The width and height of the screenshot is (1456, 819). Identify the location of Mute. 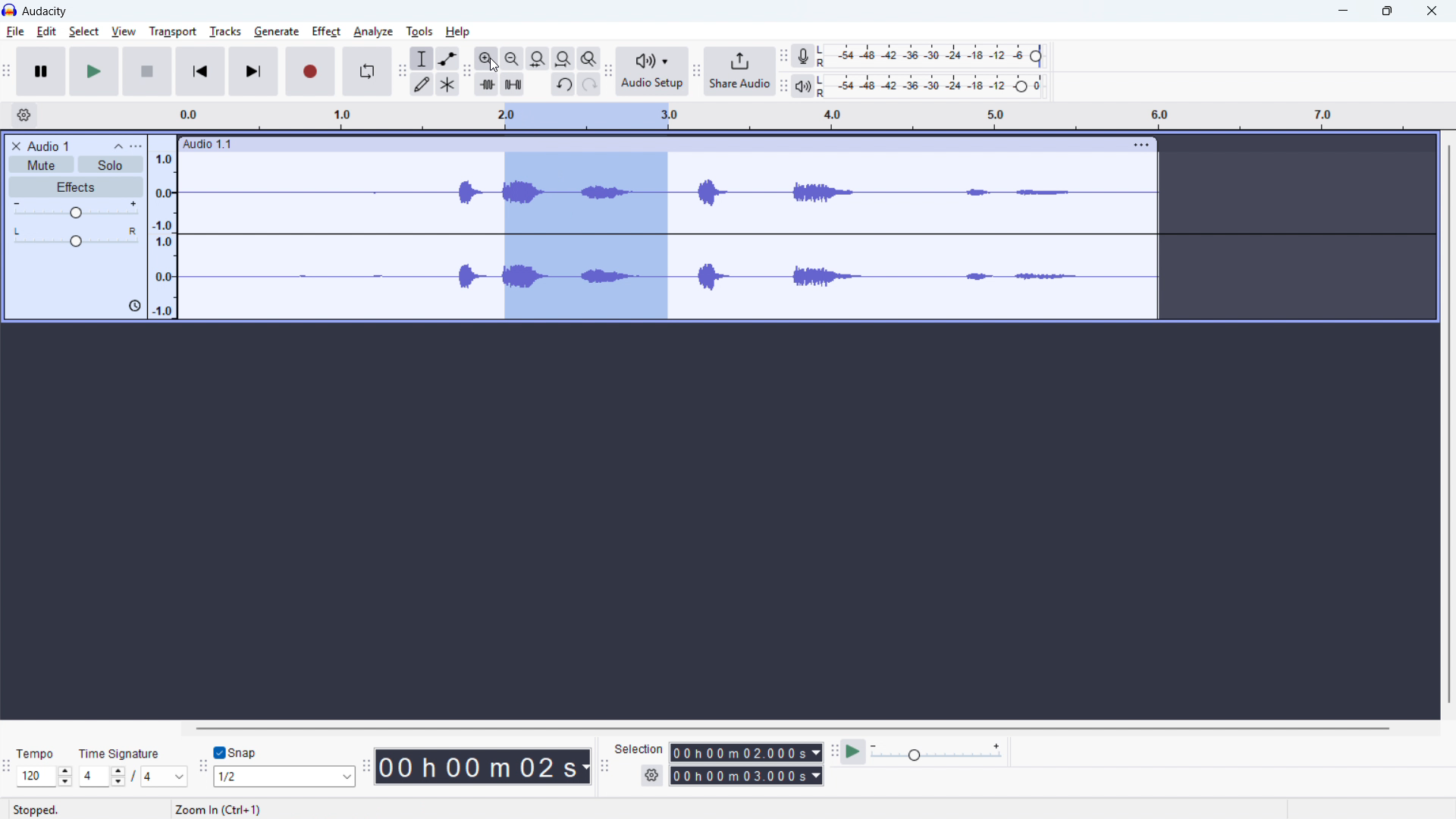
(40, 164).